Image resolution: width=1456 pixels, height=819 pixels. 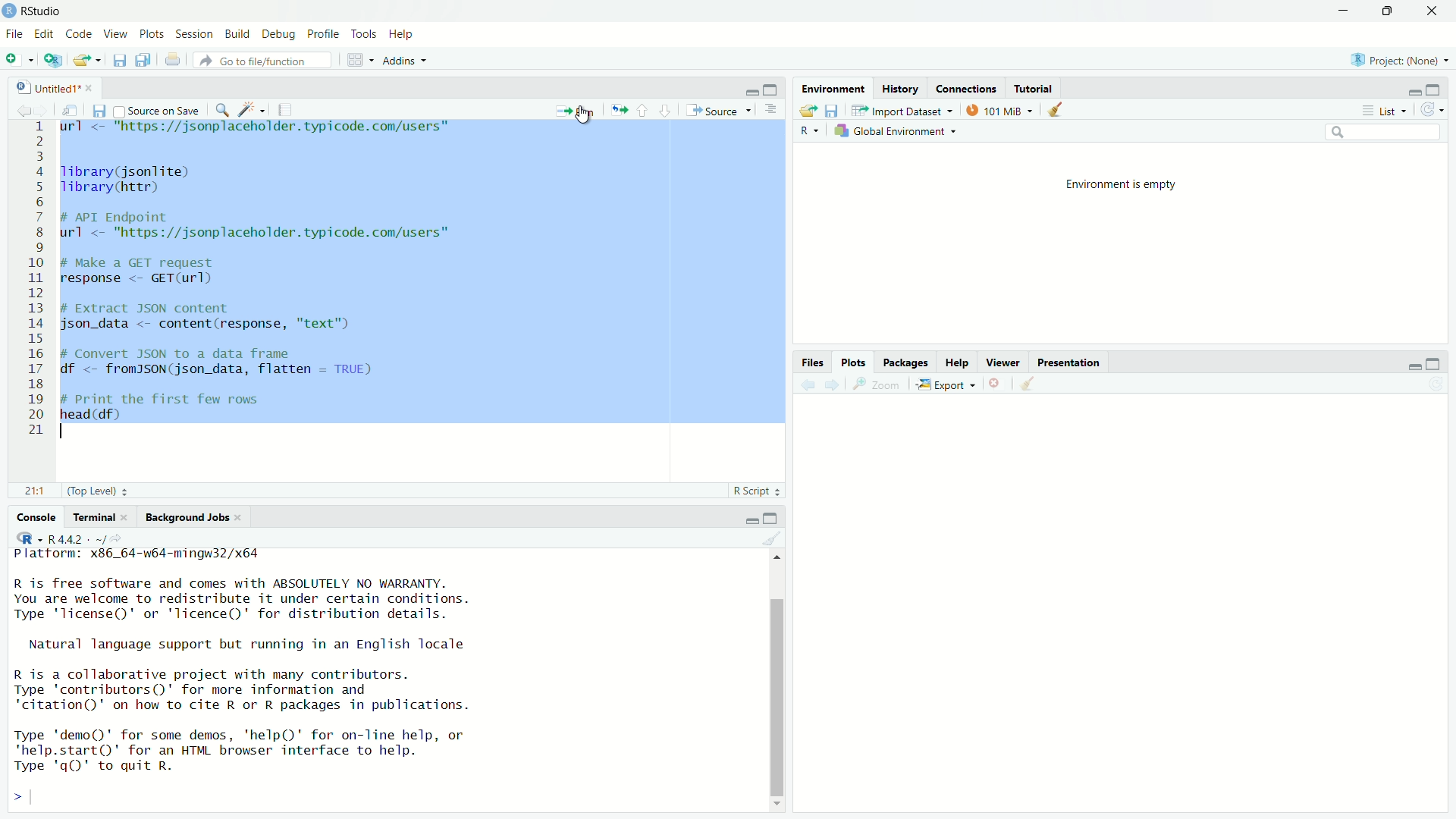 What do you see at coordinates (33, 11) in the screenshot?
I see `RStudio` at bounding box center [33, 11].